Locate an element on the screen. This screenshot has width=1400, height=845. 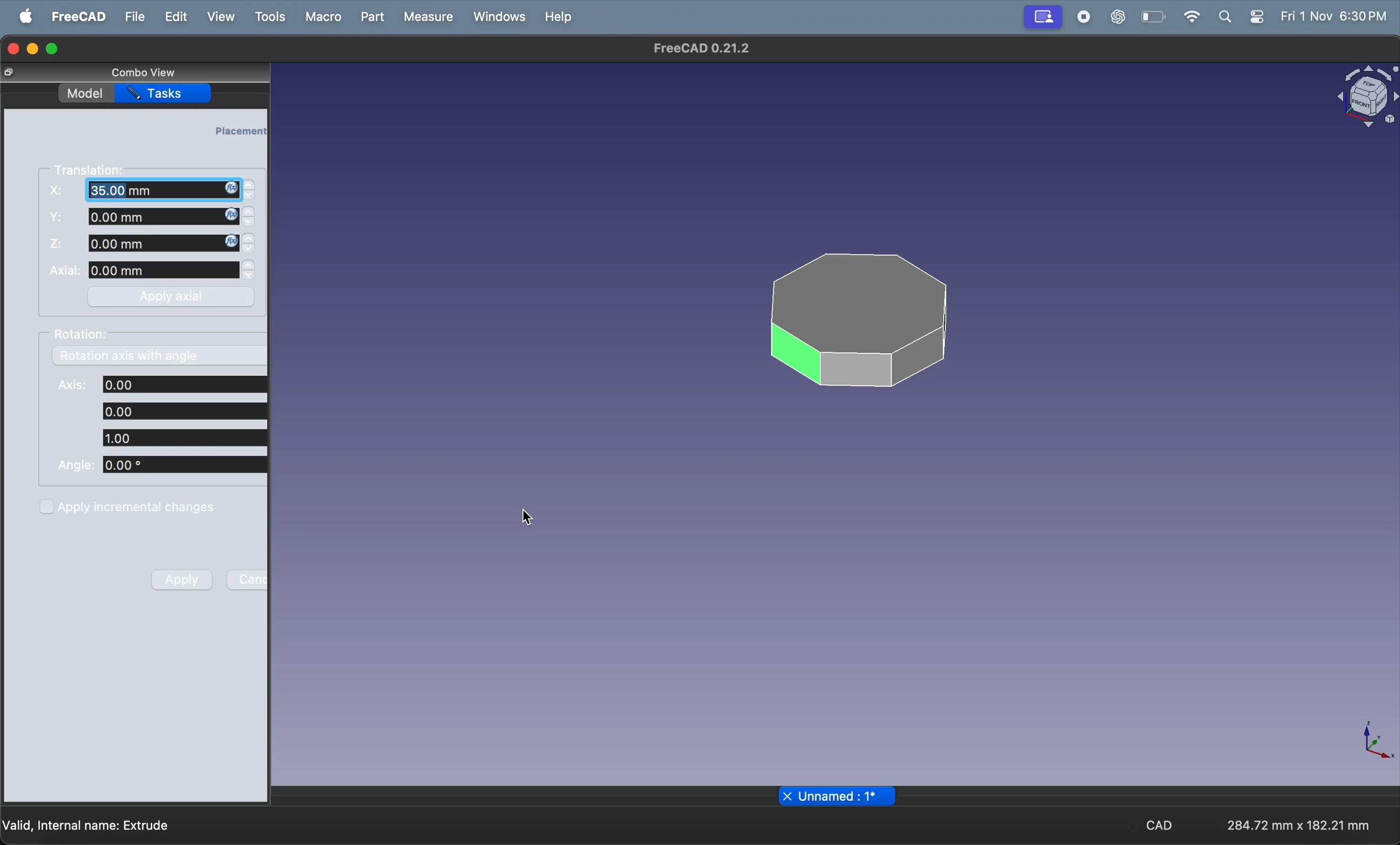
Apply is located at coordinates (182, 579).